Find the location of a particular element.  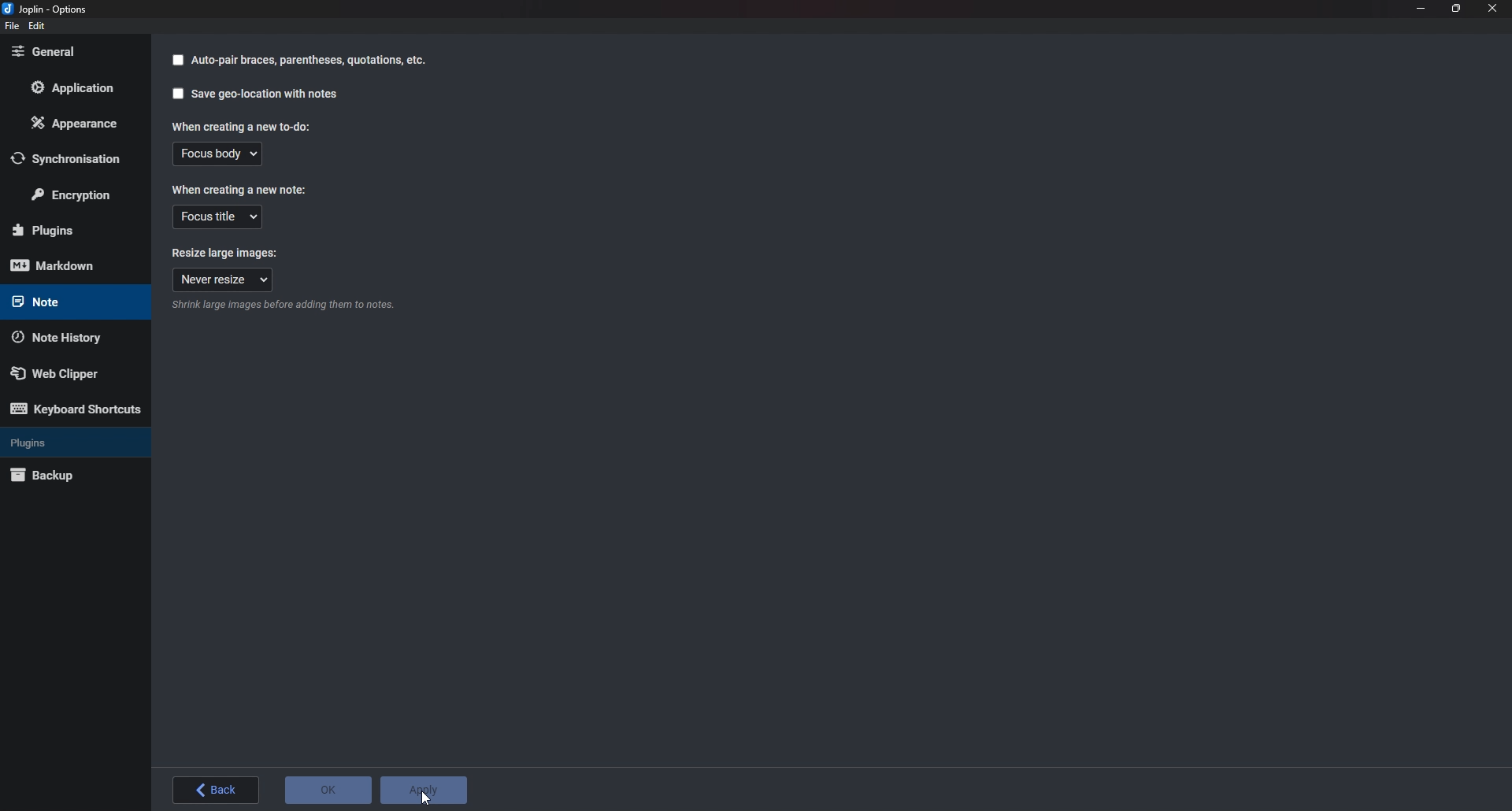

Focus body is located at coordinates (217, 156).